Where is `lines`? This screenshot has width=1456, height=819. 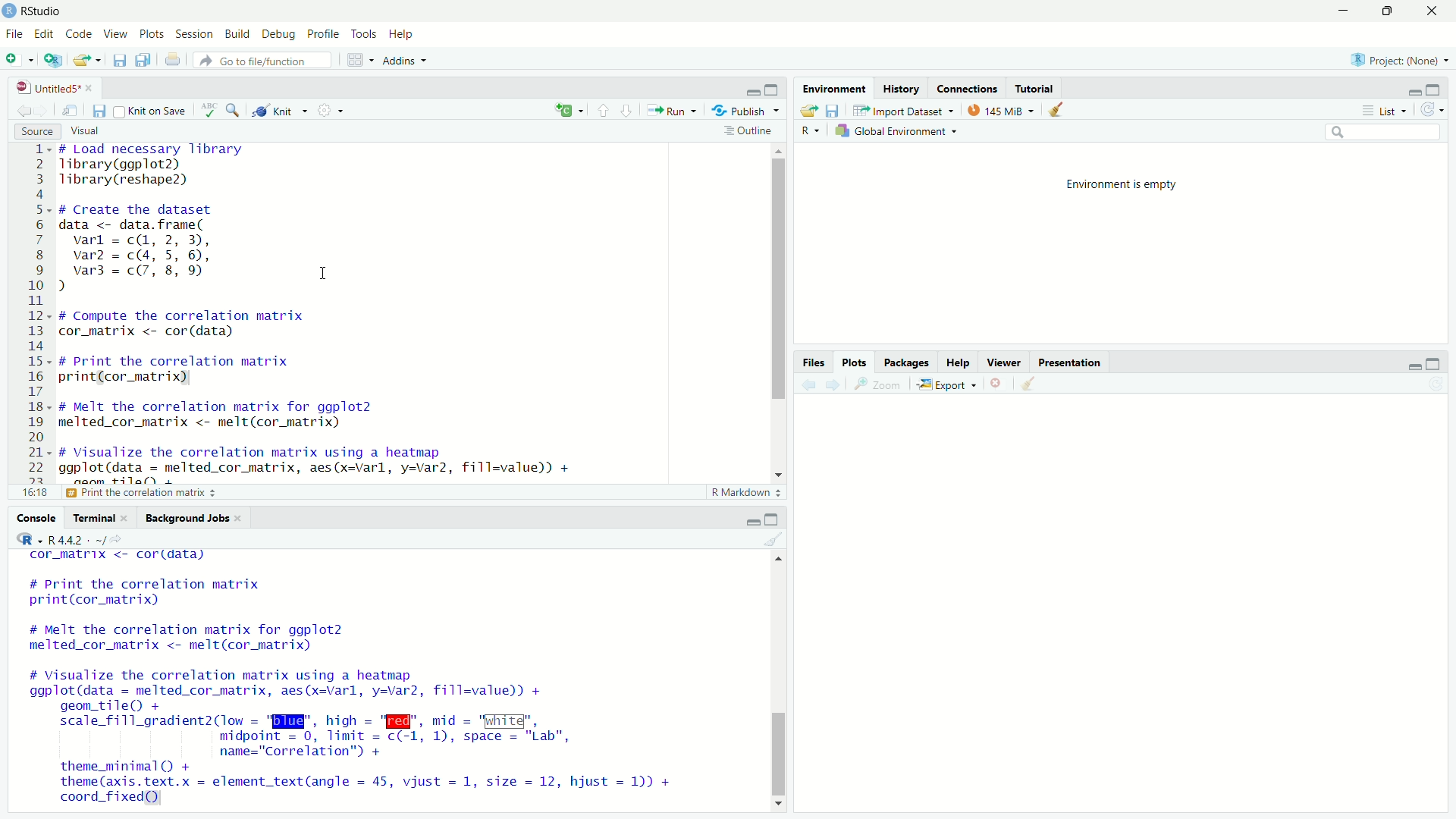 lines is located at coordinates (39, 321).